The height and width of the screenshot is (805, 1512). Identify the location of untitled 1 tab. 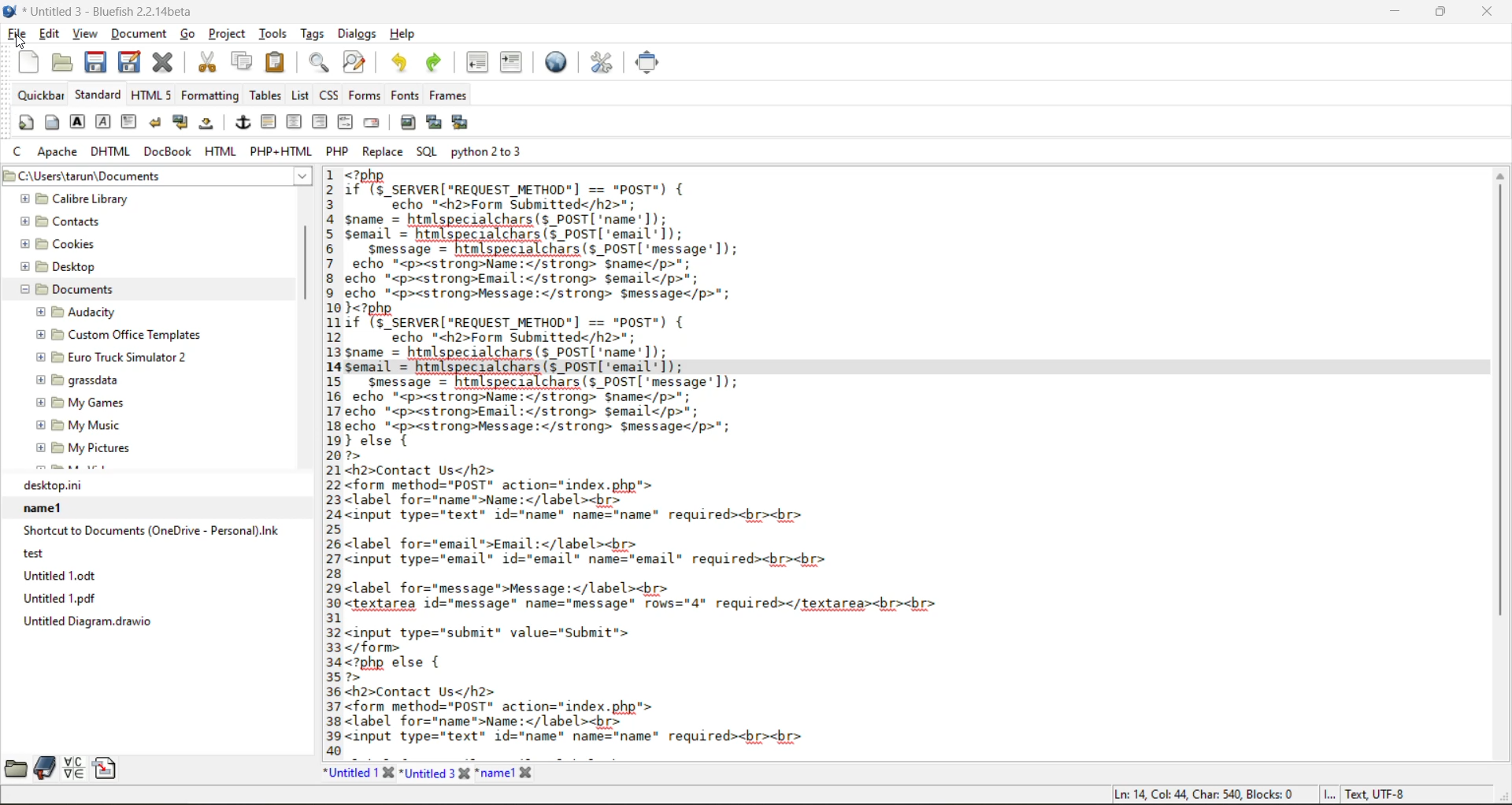
(358, 772).